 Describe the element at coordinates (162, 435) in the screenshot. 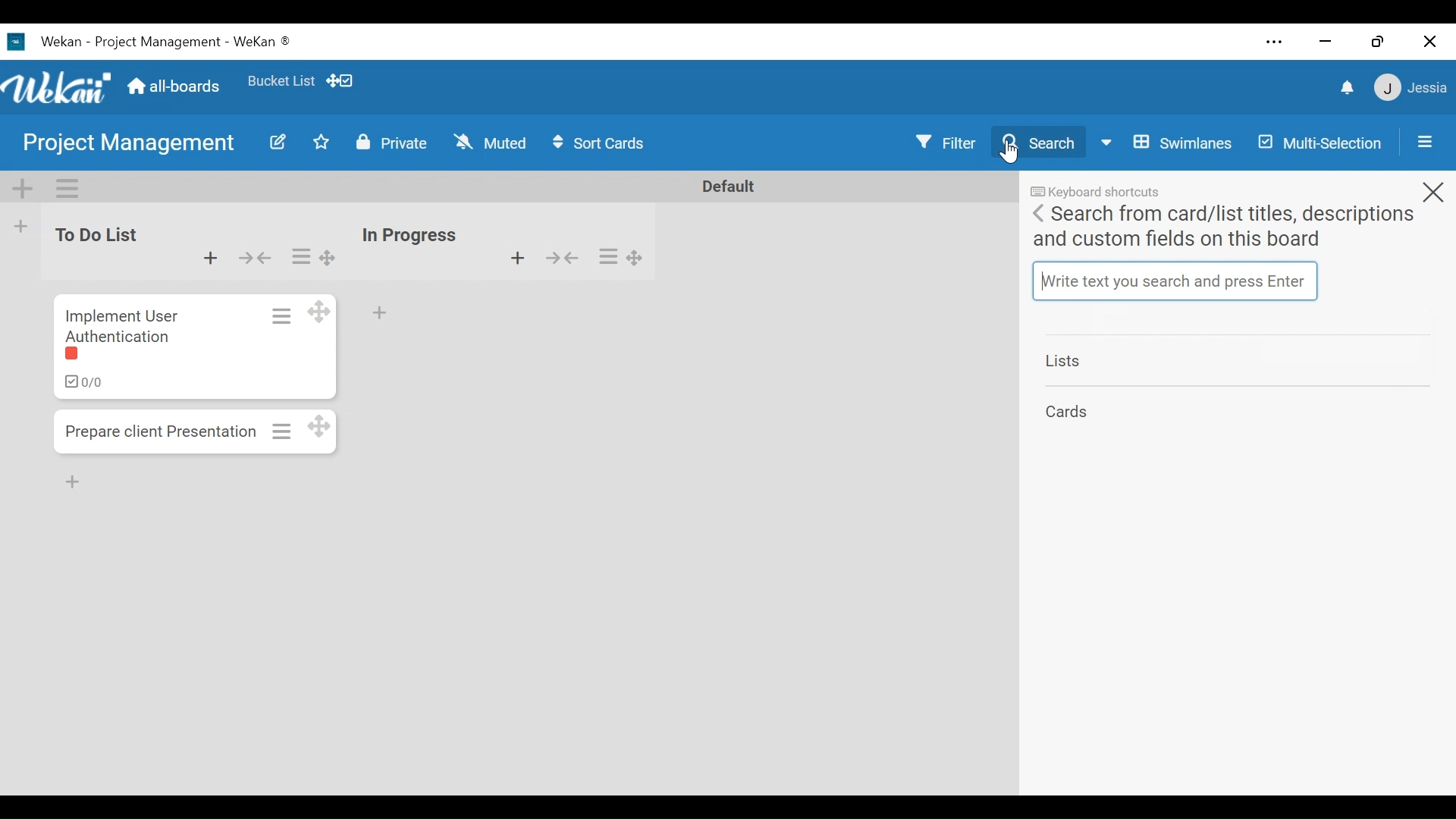

I see `Prepare client presentation` at that location.